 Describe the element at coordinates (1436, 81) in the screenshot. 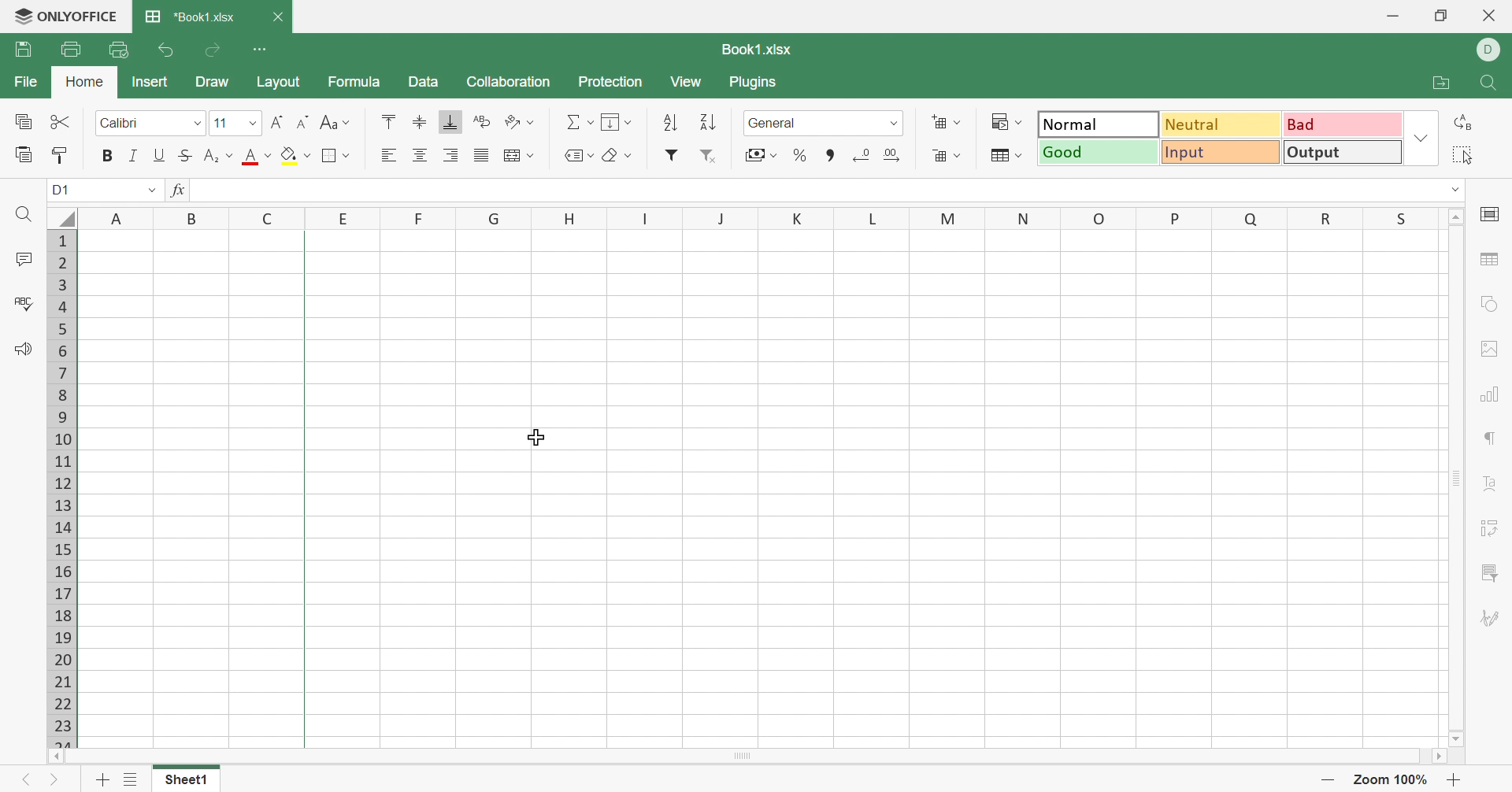

I see `Open file location` at that location.